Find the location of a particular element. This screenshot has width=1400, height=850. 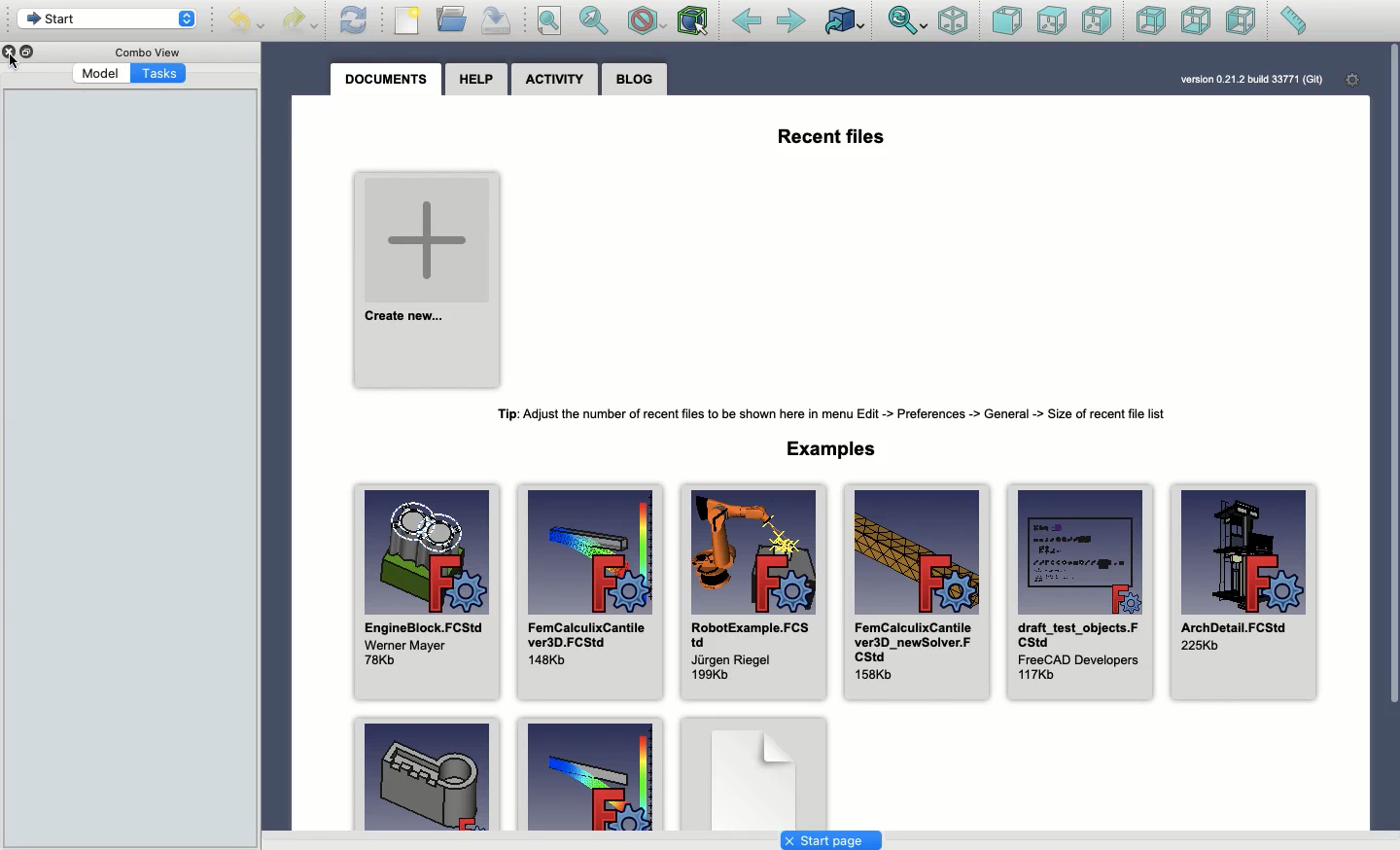

FemCalculixCantilever3D.FCStd is located at coordinates (590, 591).